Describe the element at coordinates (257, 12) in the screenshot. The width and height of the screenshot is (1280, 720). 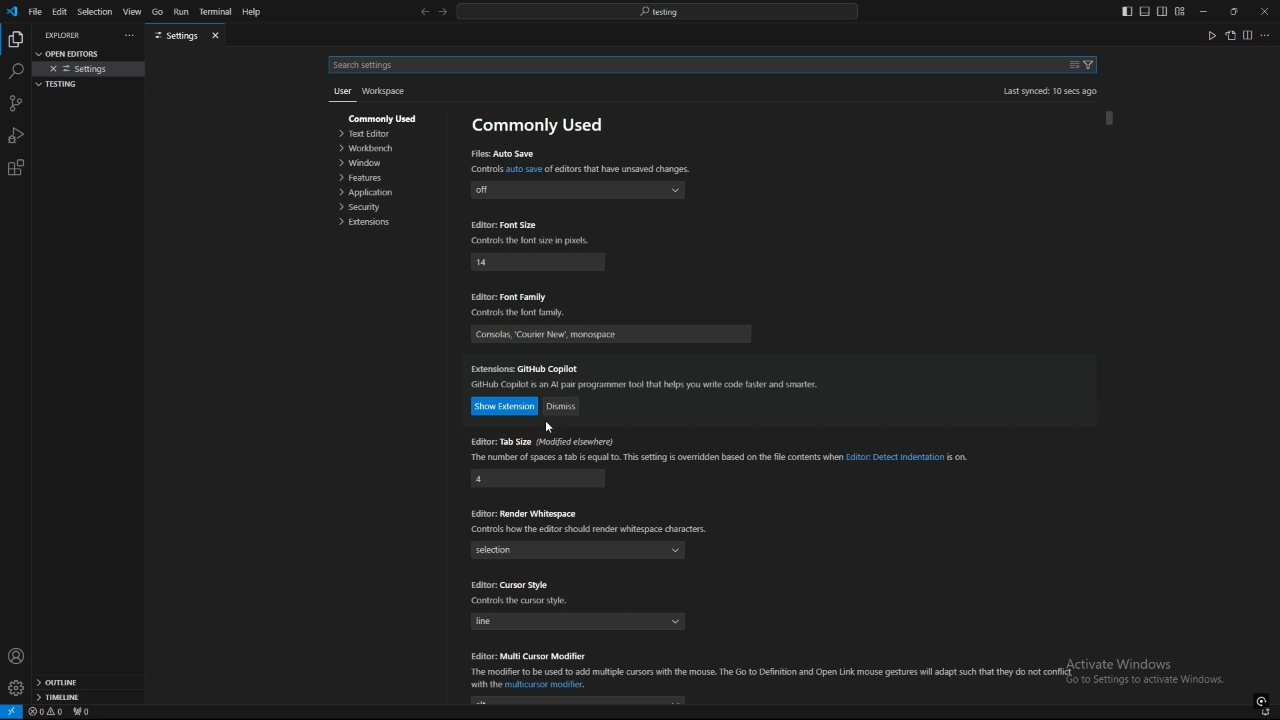
I see `help` at that location.